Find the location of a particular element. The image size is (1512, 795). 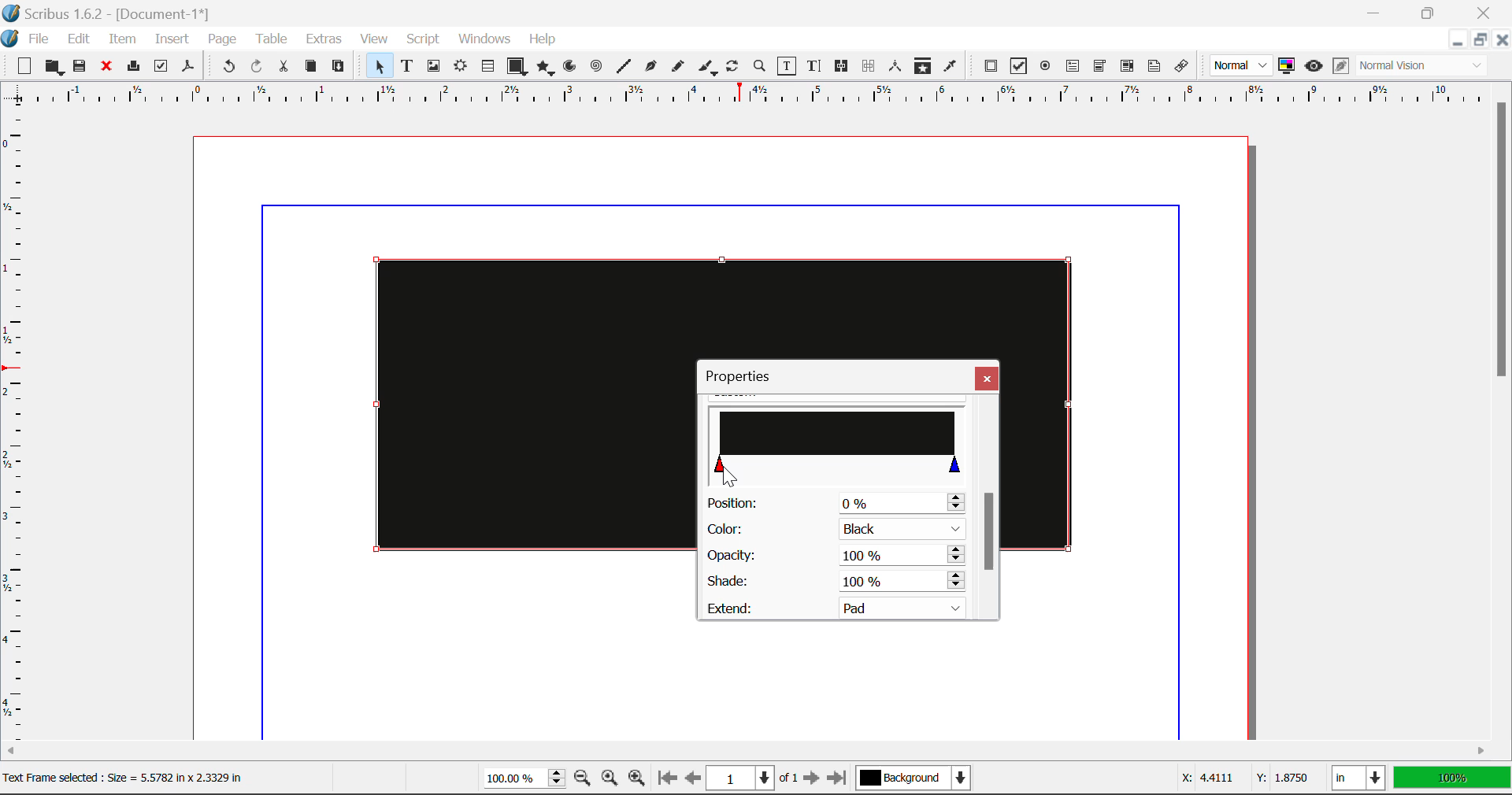

Line is located at coordinates (624, 67).